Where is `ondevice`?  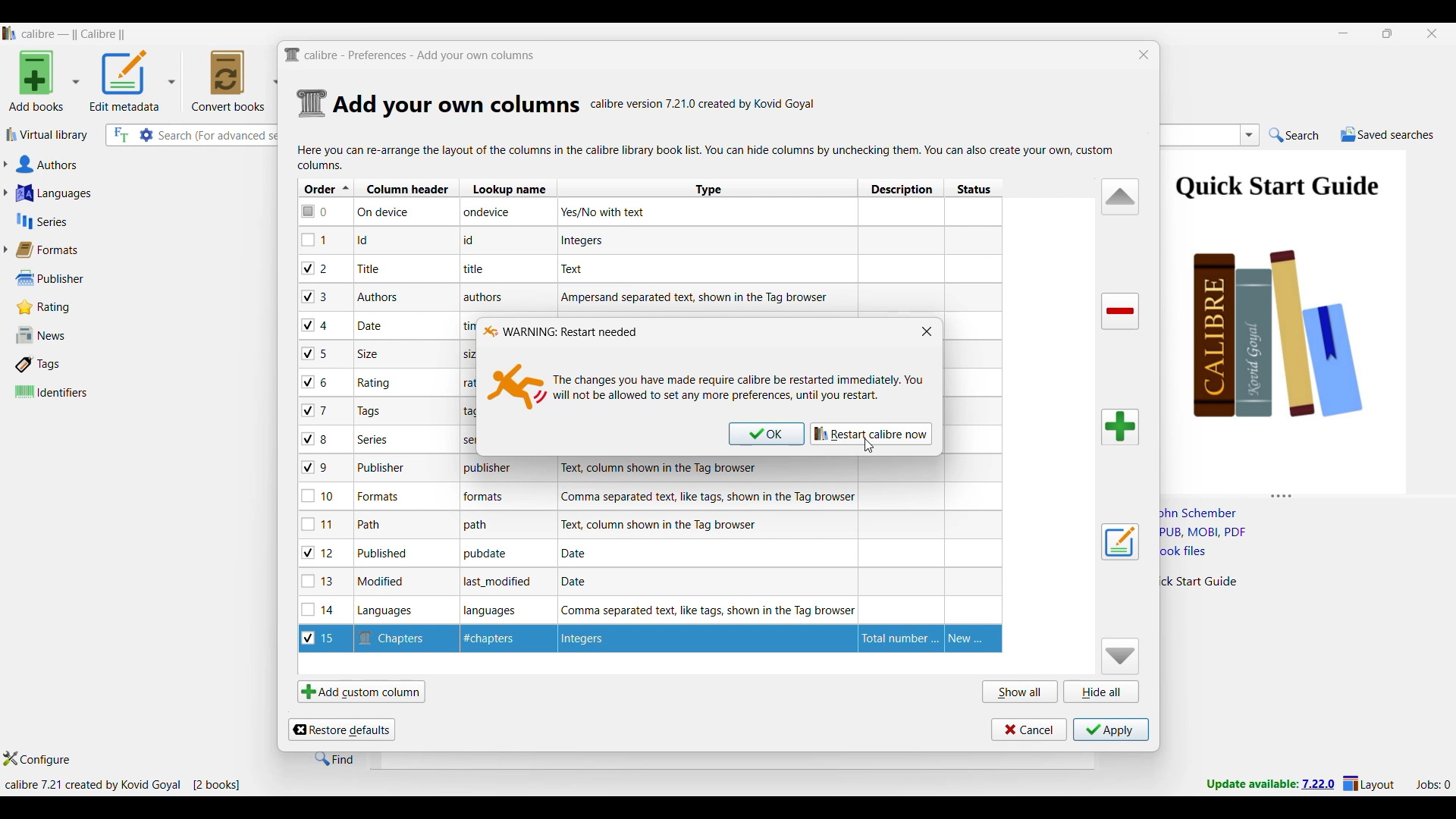 ondevice is located at coordinates (497, 215).